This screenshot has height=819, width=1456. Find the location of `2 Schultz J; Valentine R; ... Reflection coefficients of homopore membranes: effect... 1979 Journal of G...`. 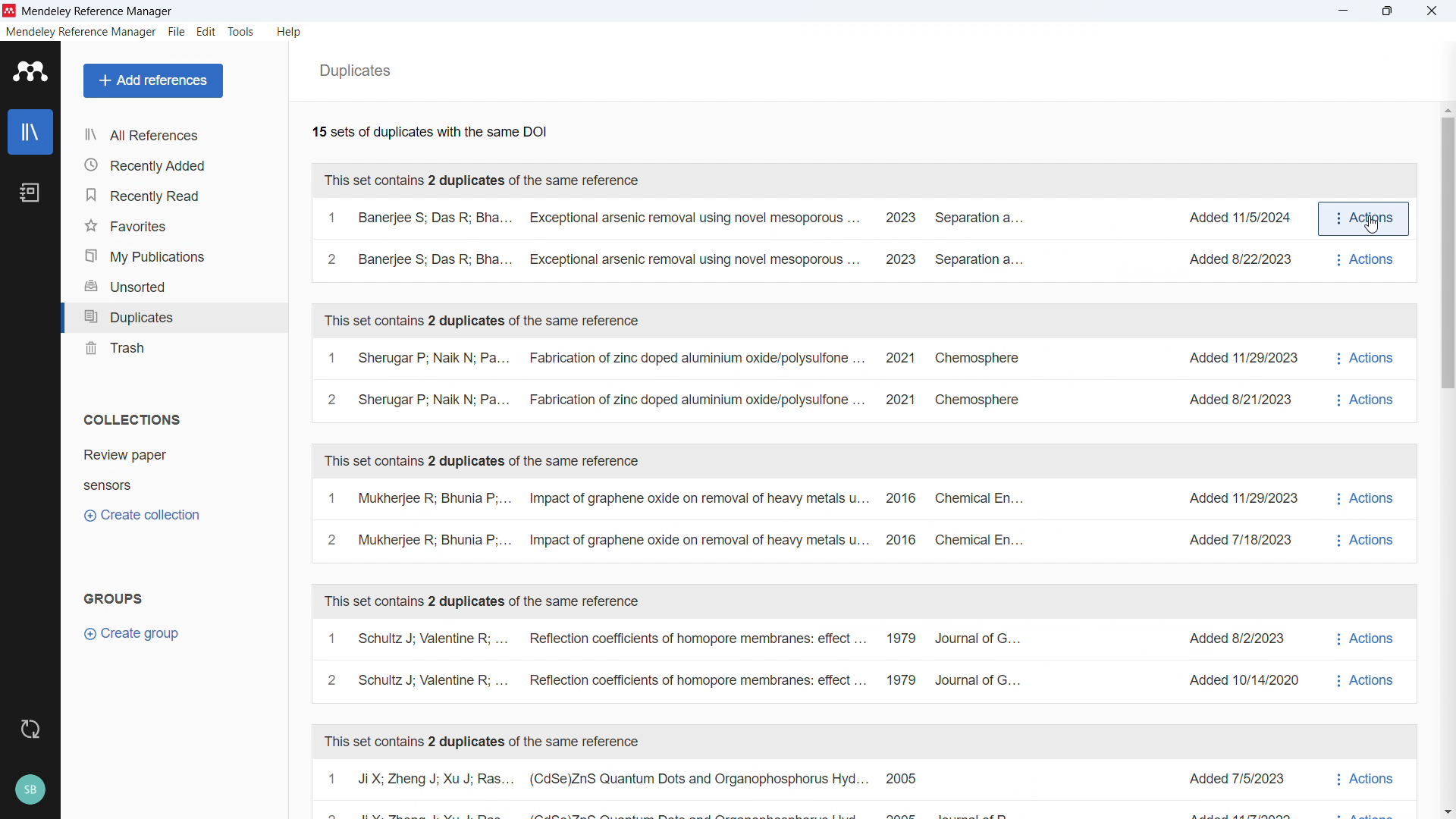

2 Schultz J; Valentine R; ... Reflection coefficients of homopore membranes: effect... 1979 Journal of G... is located at coordinates (673, 682).